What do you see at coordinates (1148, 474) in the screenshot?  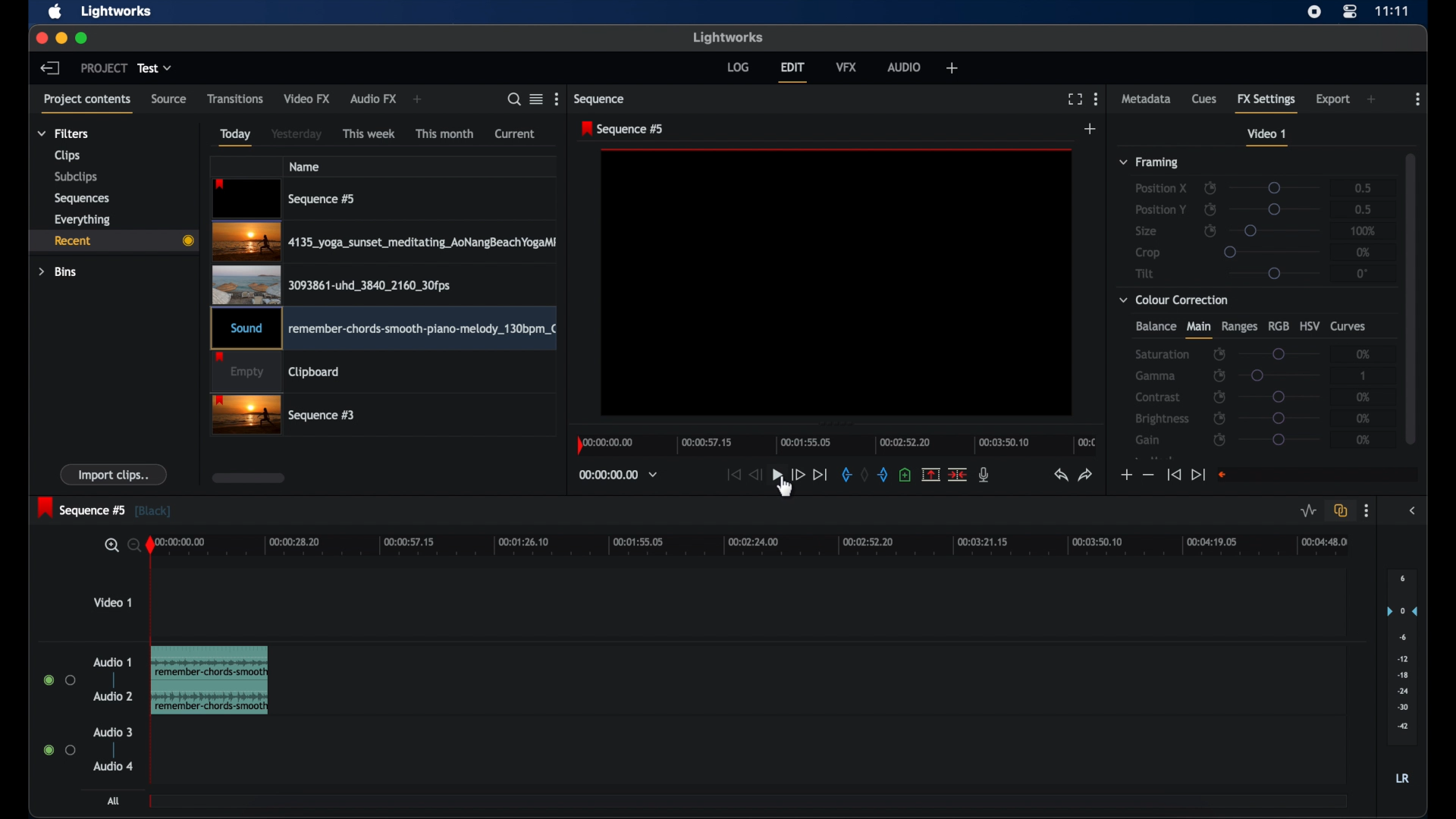 I see `decrement` at bounding box center [1148, 474].